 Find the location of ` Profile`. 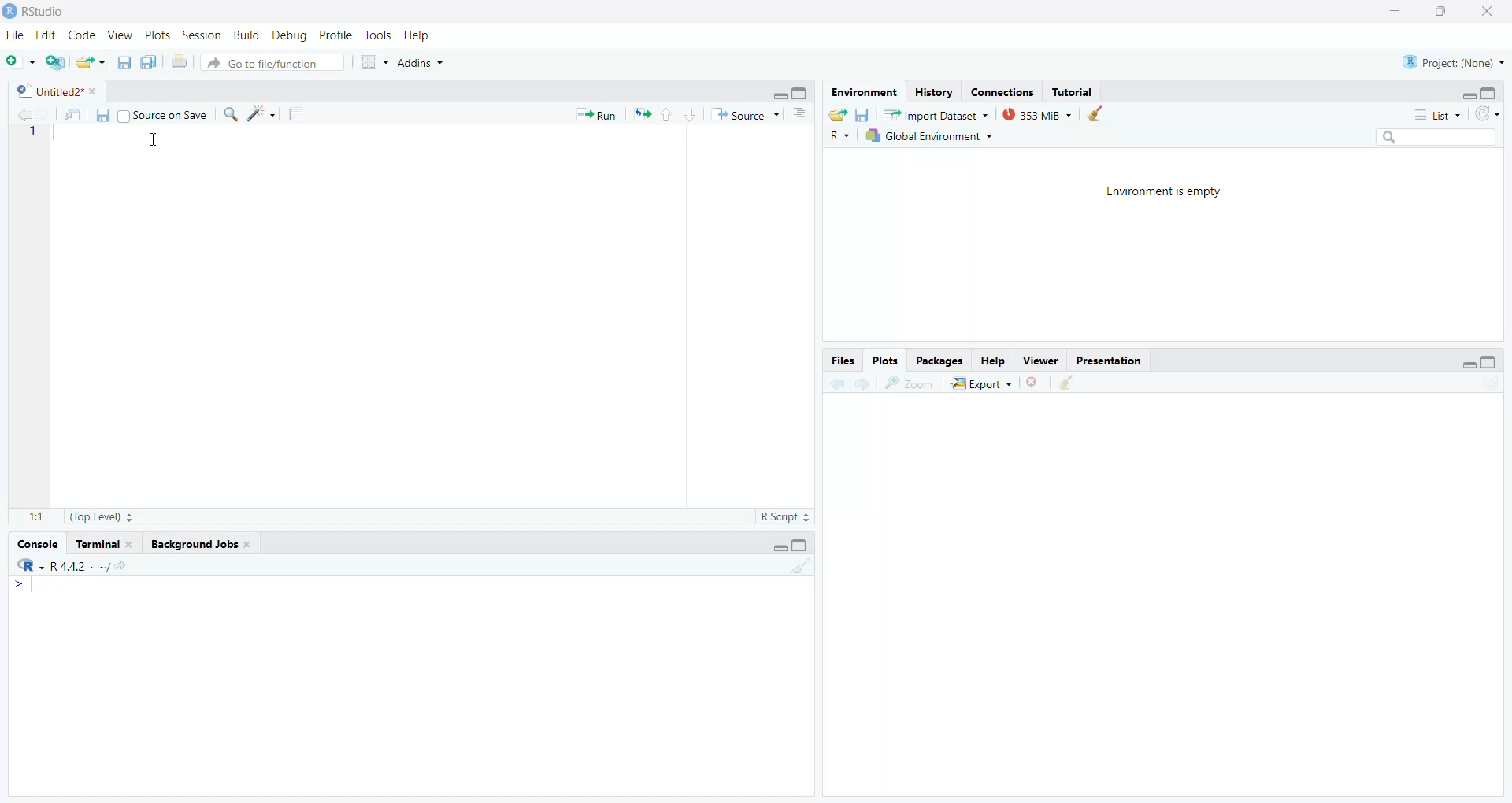

 Profile is located at coordinates (335, 35).